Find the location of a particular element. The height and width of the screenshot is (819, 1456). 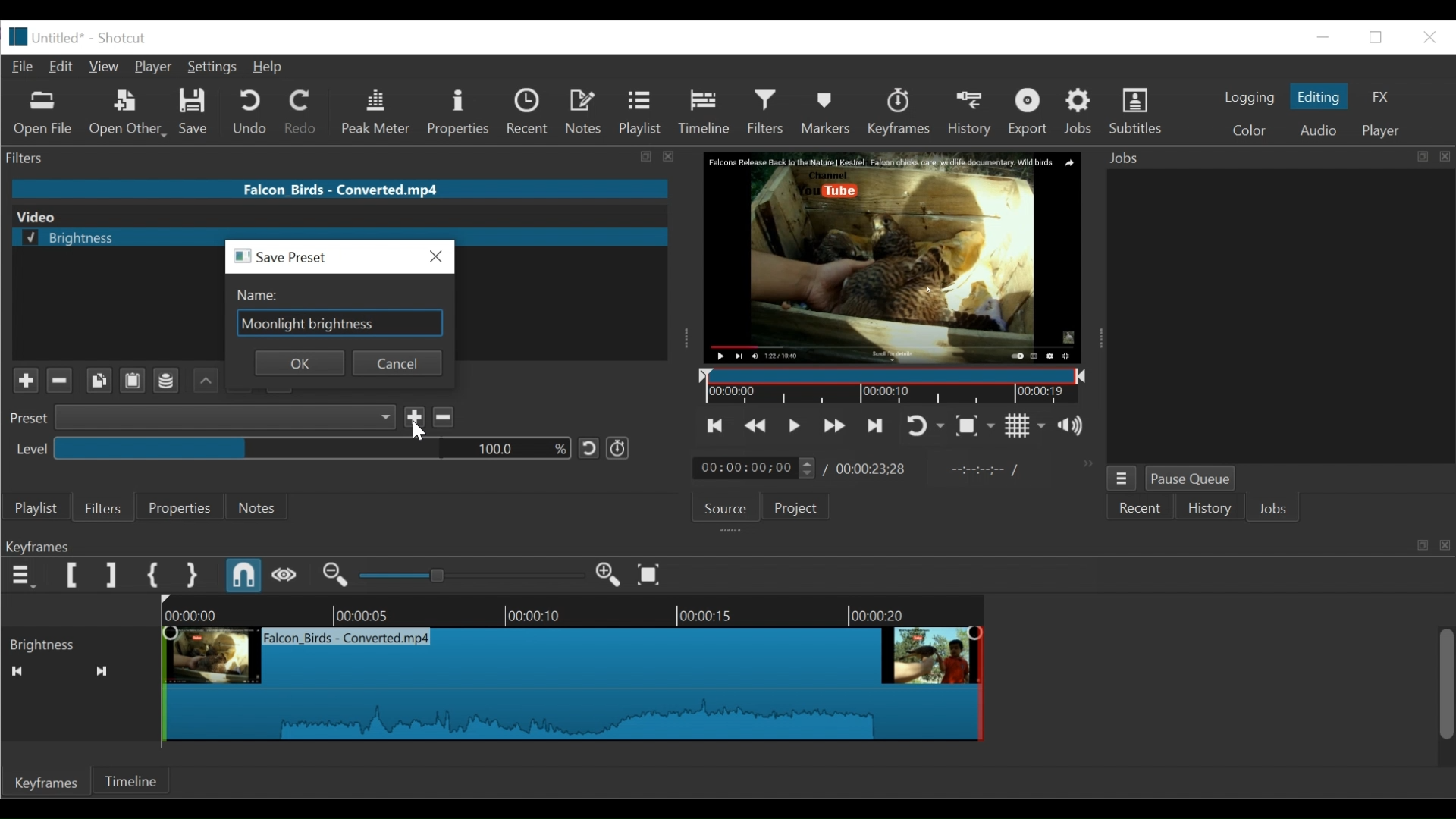

Timeline is located at coordinates (706, 114).